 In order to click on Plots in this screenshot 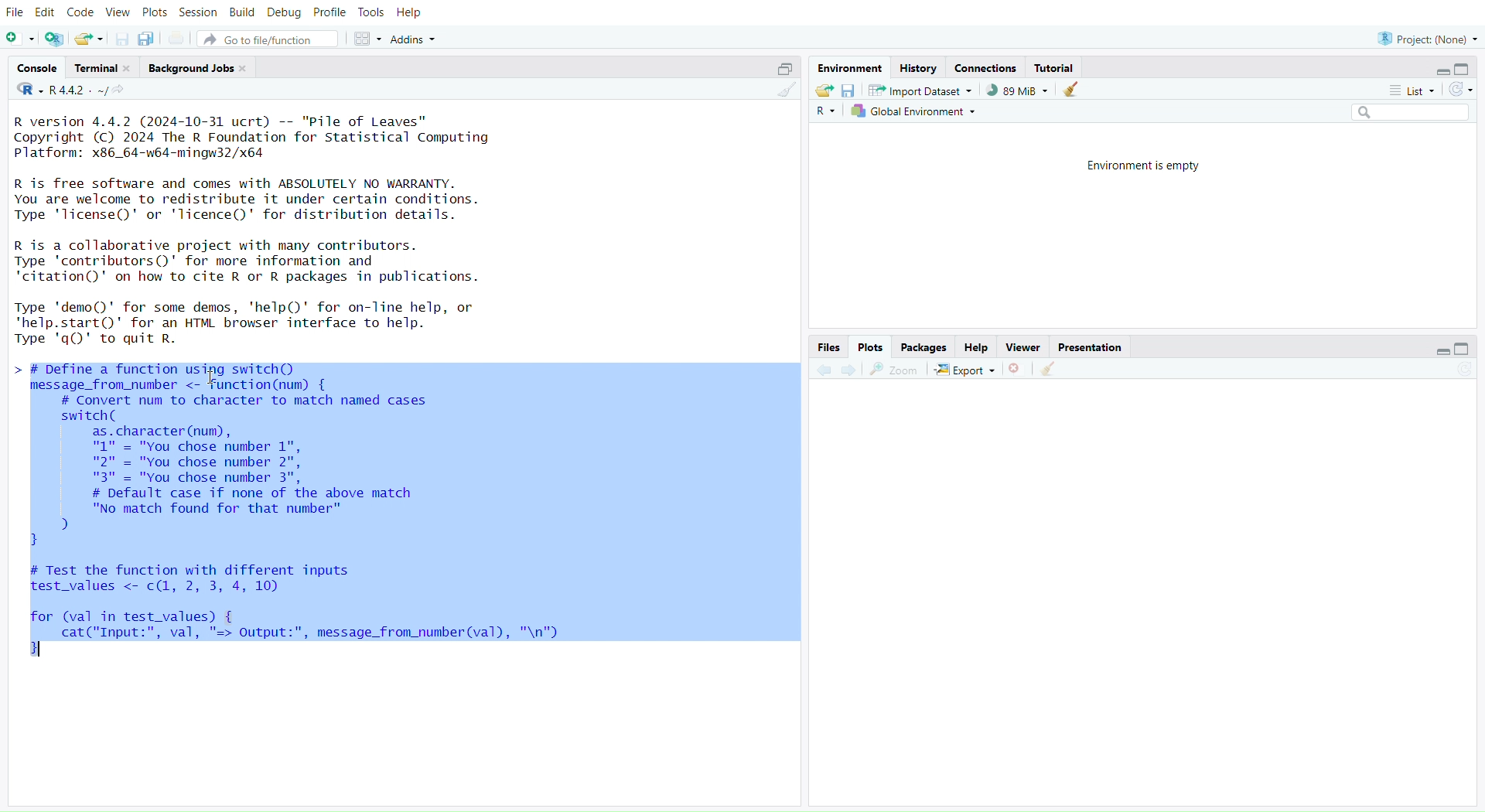, I will do `click(153, 12)`.